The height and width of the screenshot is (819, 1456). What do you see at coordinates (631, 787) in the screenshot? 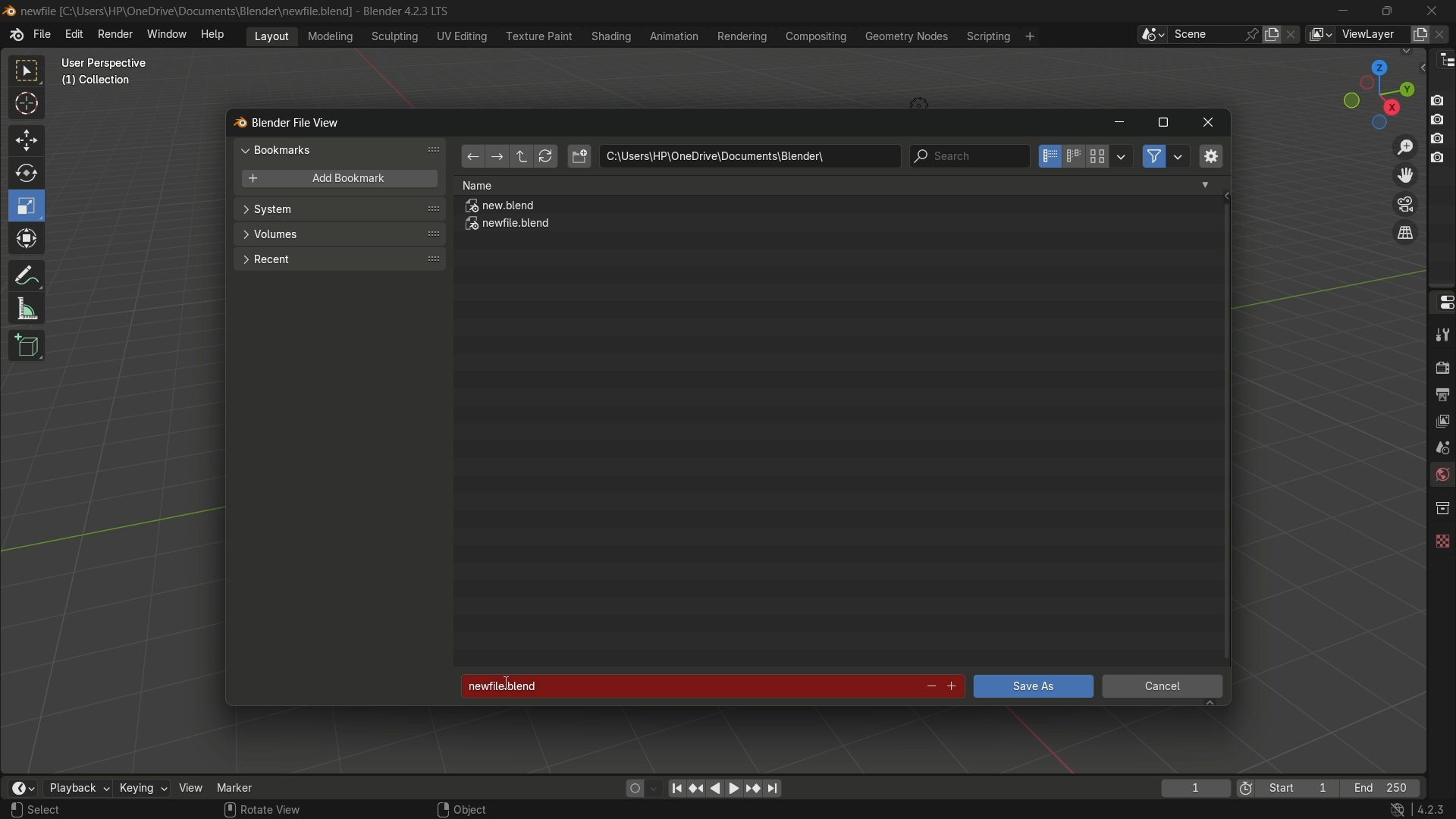
I see `auto keying` at bounding box center [631, 787].